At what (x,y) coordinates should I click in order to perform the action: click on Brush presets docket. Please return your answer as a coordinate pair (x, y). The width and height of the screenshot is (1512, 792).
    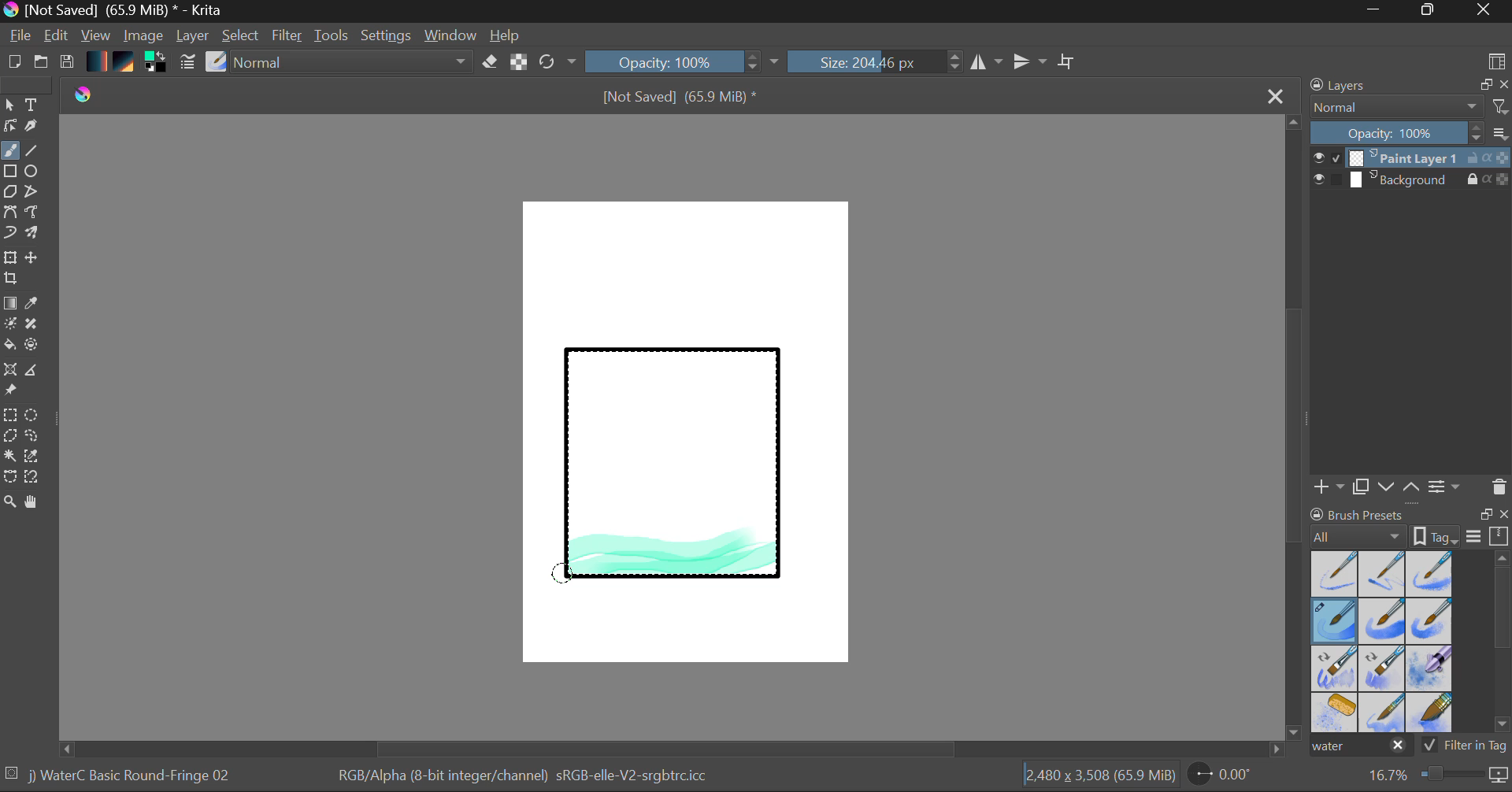
    Looking at the image, I should click on (1410, 525).